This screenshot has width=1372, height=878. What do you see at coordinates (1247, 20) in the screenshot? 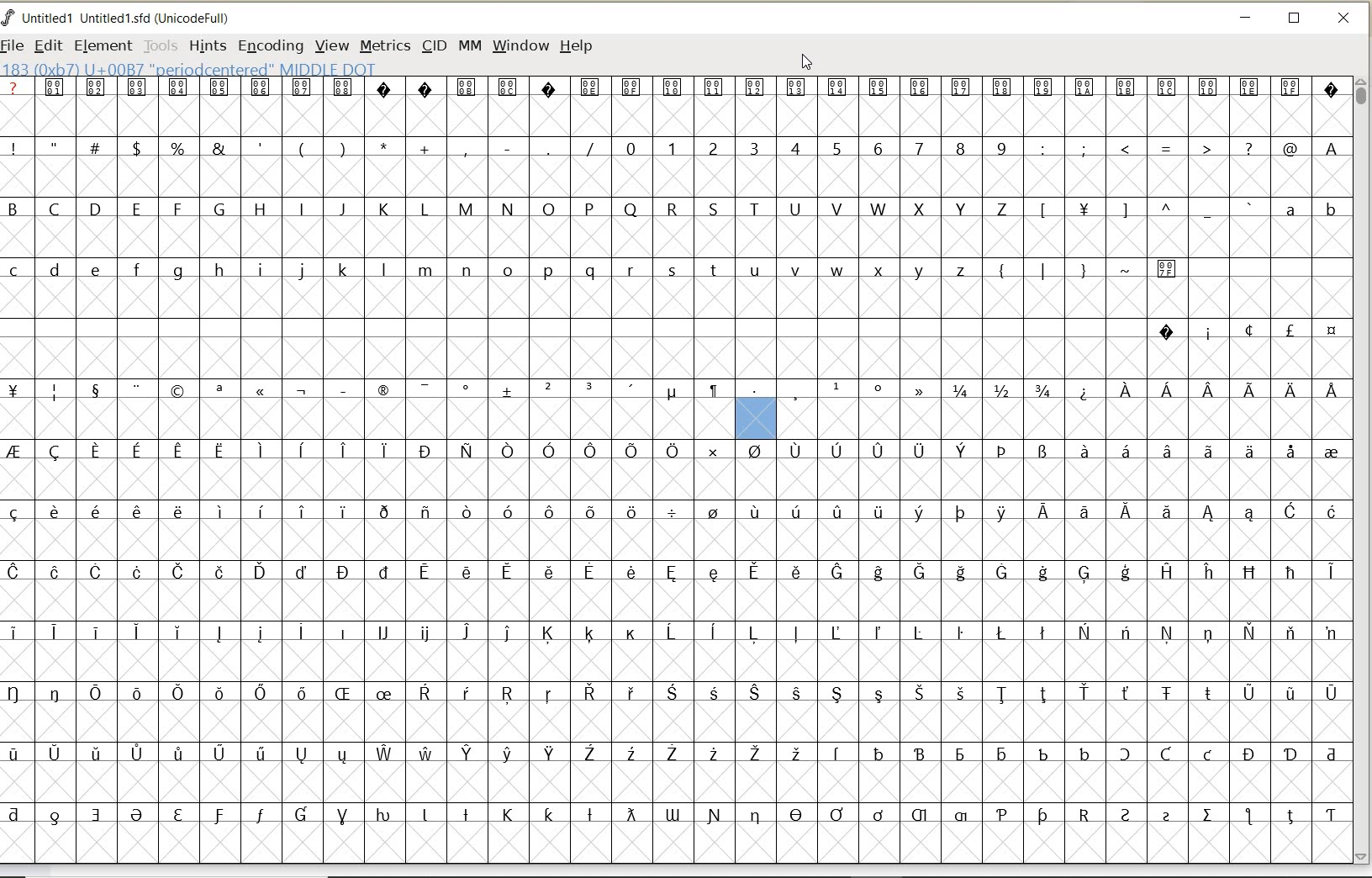
I see `MINIMIZE` at bounding box center [1247, 20].